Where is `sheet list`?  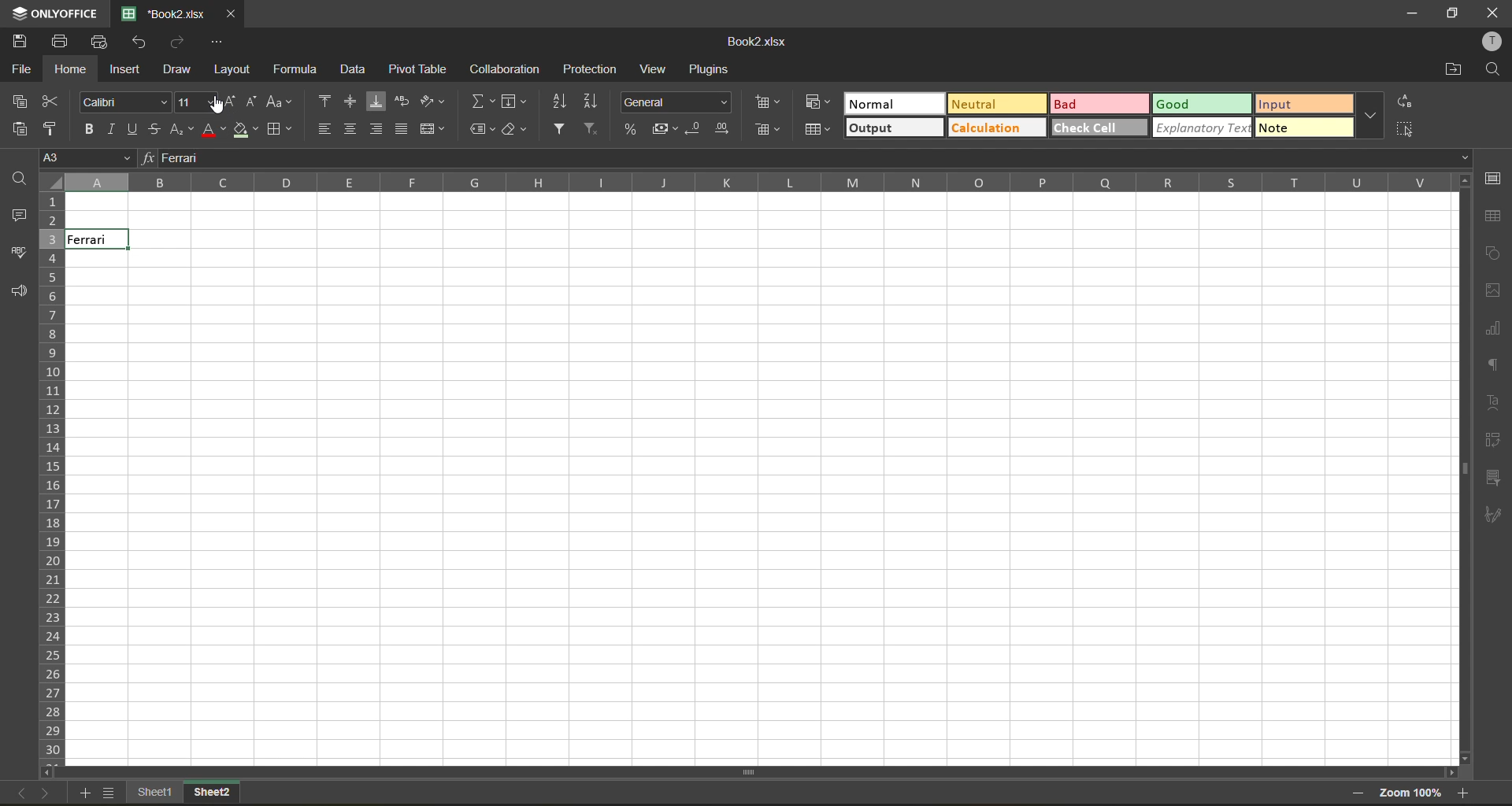 sheet list is located at coordinates (109, 793).